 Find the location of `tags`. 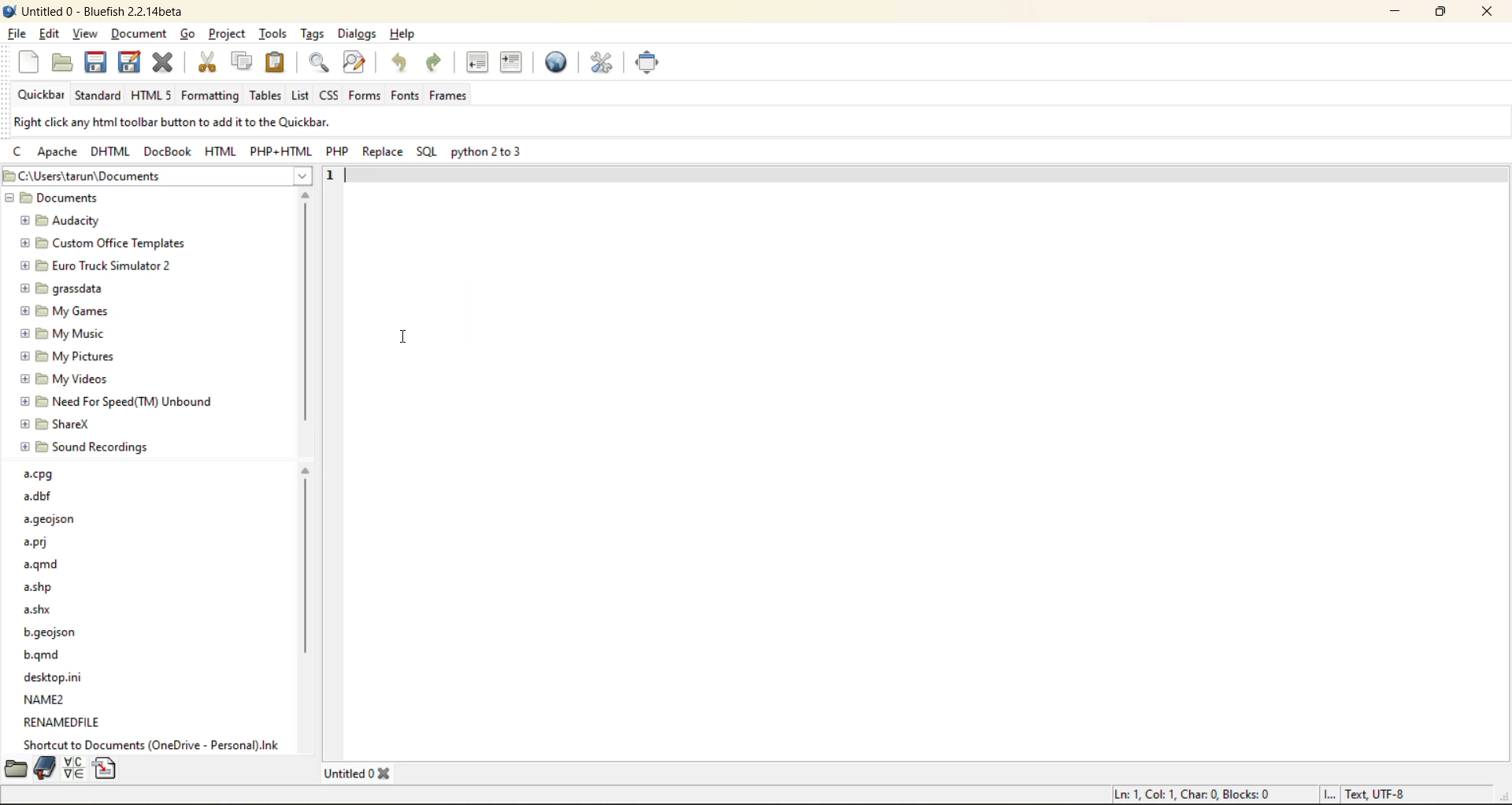

tags is located at coordinates (314, 32).